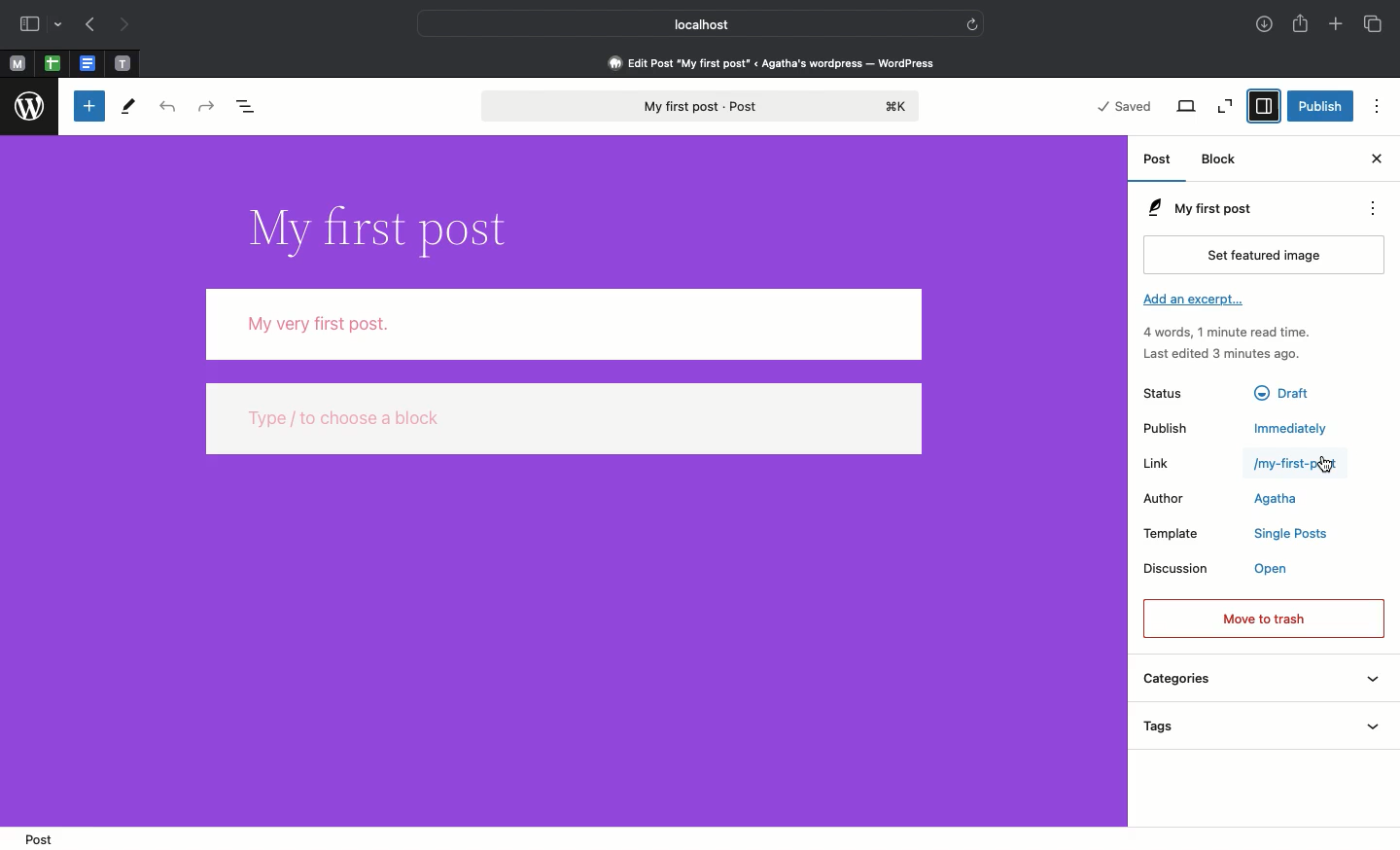 This screenshot has width=1400, height=850. What do you see at coordinates (167, 105) in the screenshot?
I see `Undo` at bounding box center [167, 105].